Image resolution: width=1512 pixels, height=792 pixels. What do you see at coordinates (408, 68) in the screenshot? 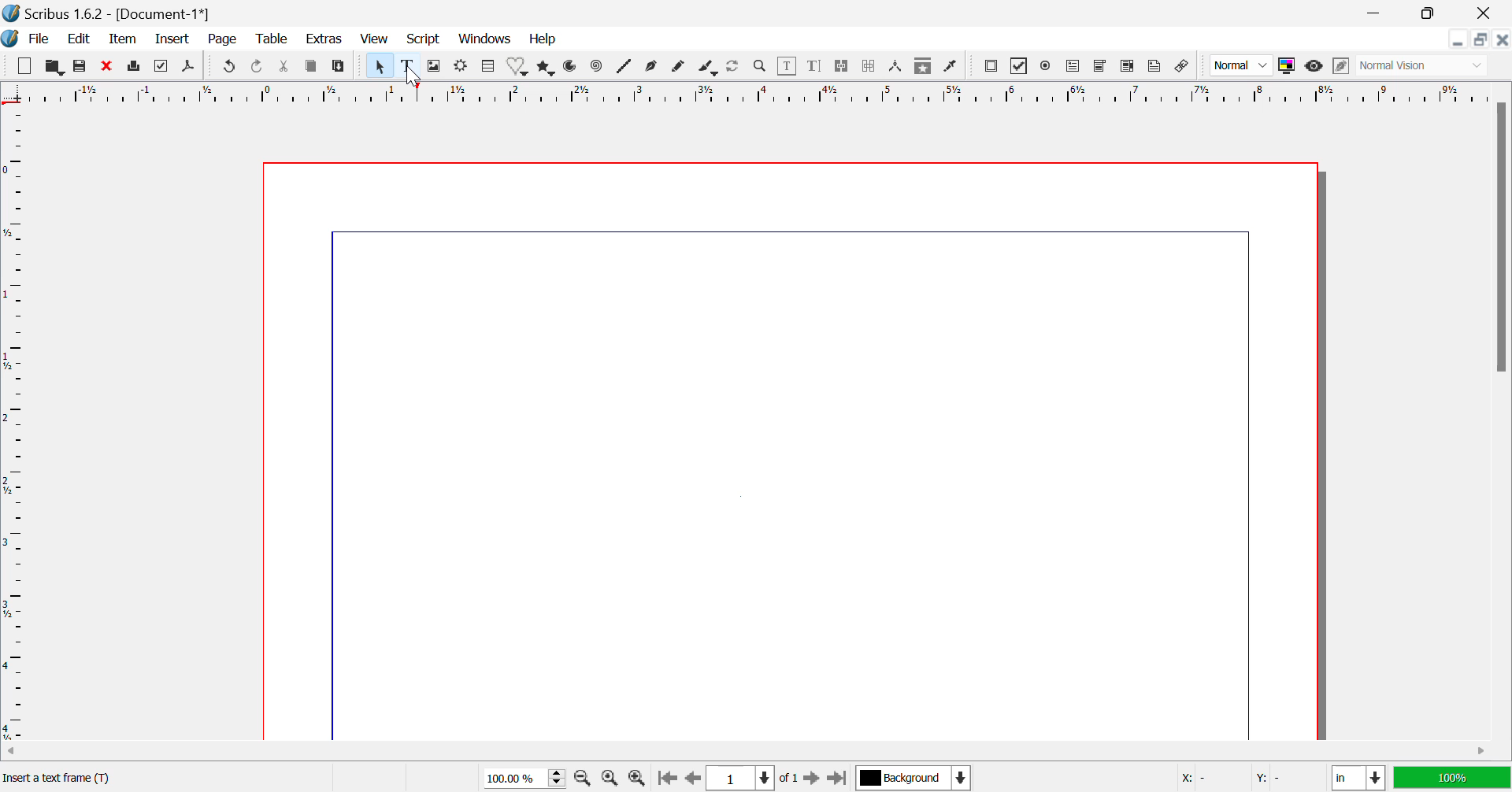
I see `Text Frame` at bounding box center [408, 68].